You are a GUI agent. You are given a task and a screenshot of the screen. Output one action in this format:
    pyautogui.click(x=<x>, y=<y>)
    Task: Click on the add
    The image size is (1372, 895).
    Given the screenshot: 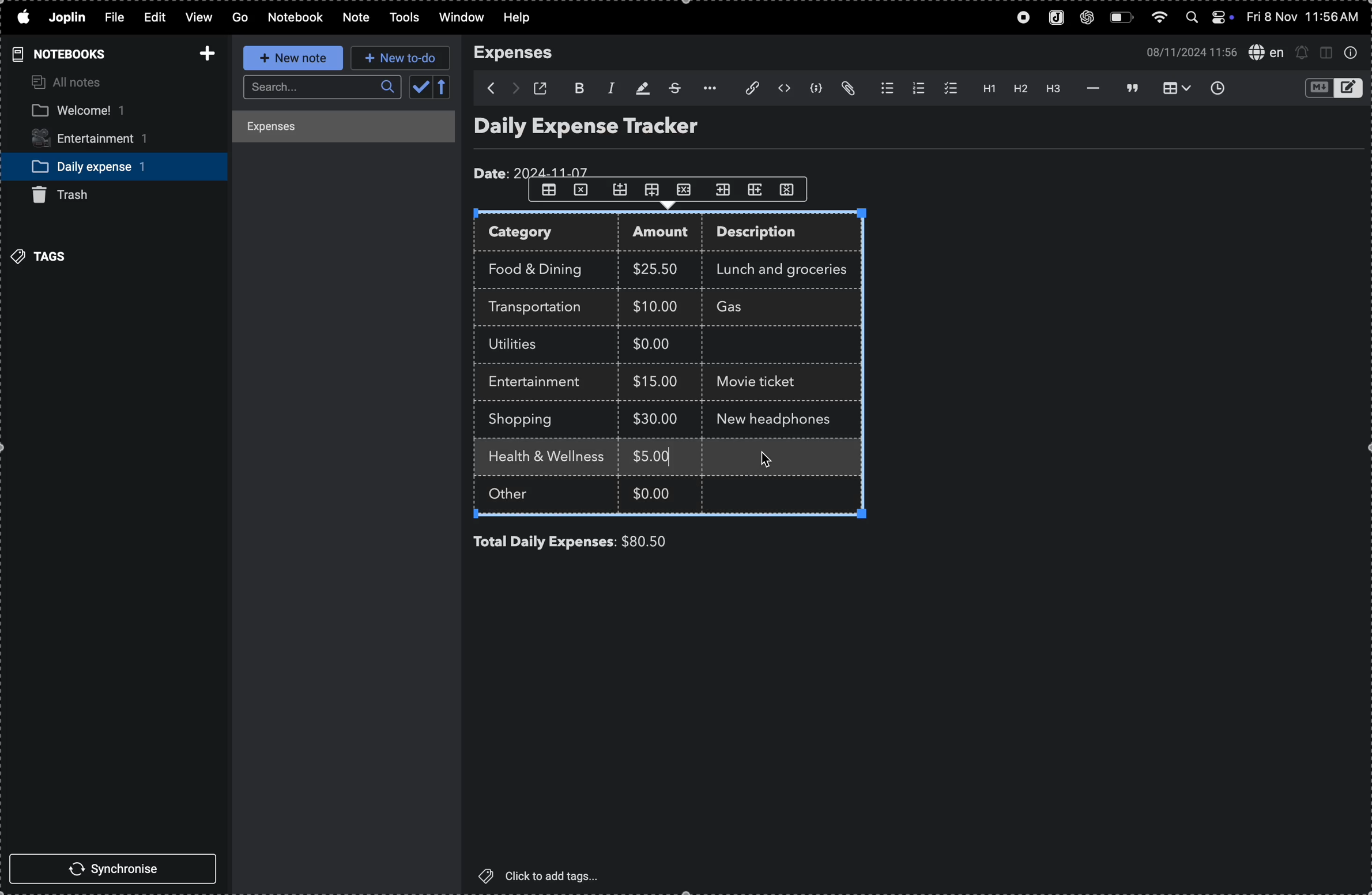 What is the action you would take?
    pyautogui.click(x=203, y=50)
    